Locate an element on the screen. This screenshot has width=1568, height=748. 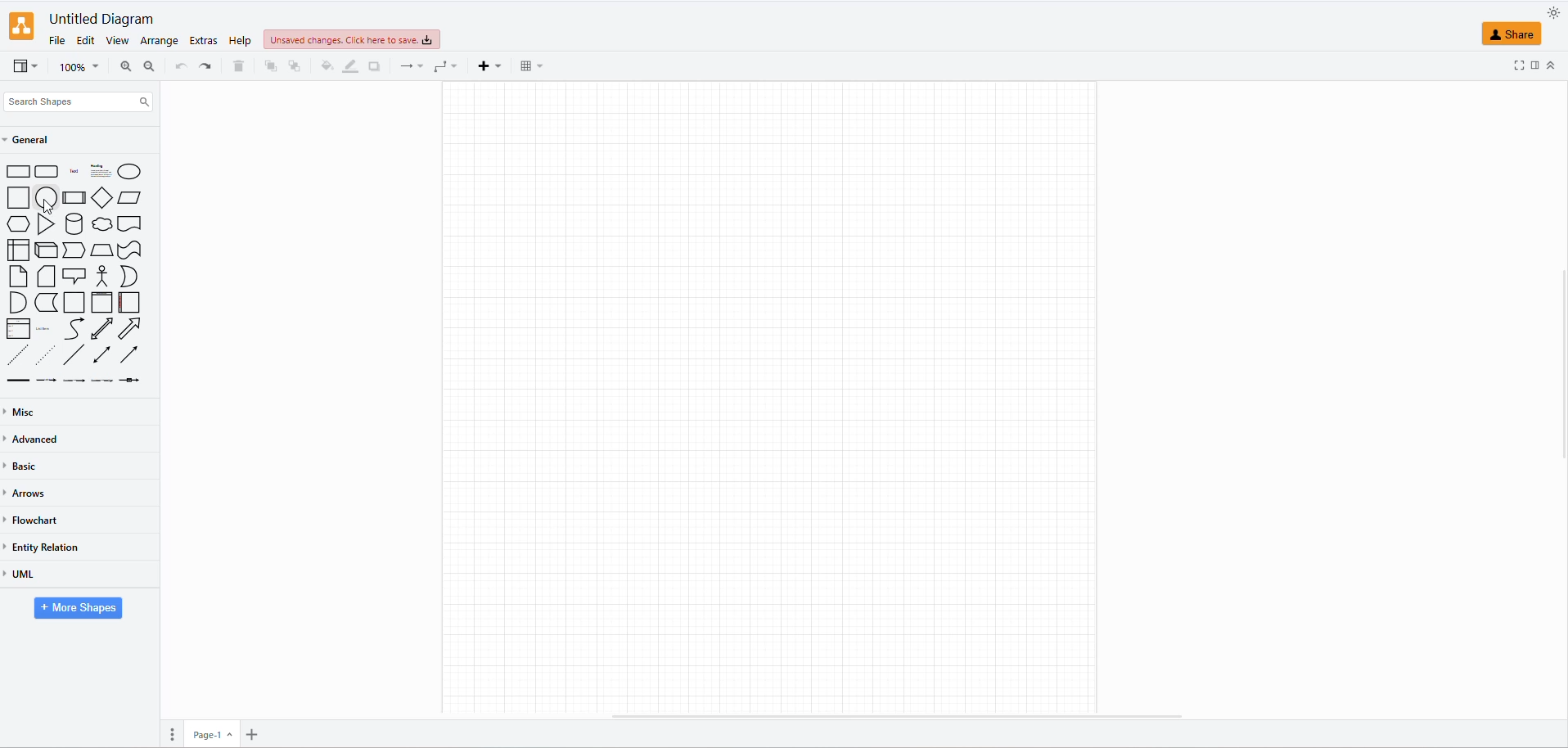
LINE is located at coordinates (70, 354).